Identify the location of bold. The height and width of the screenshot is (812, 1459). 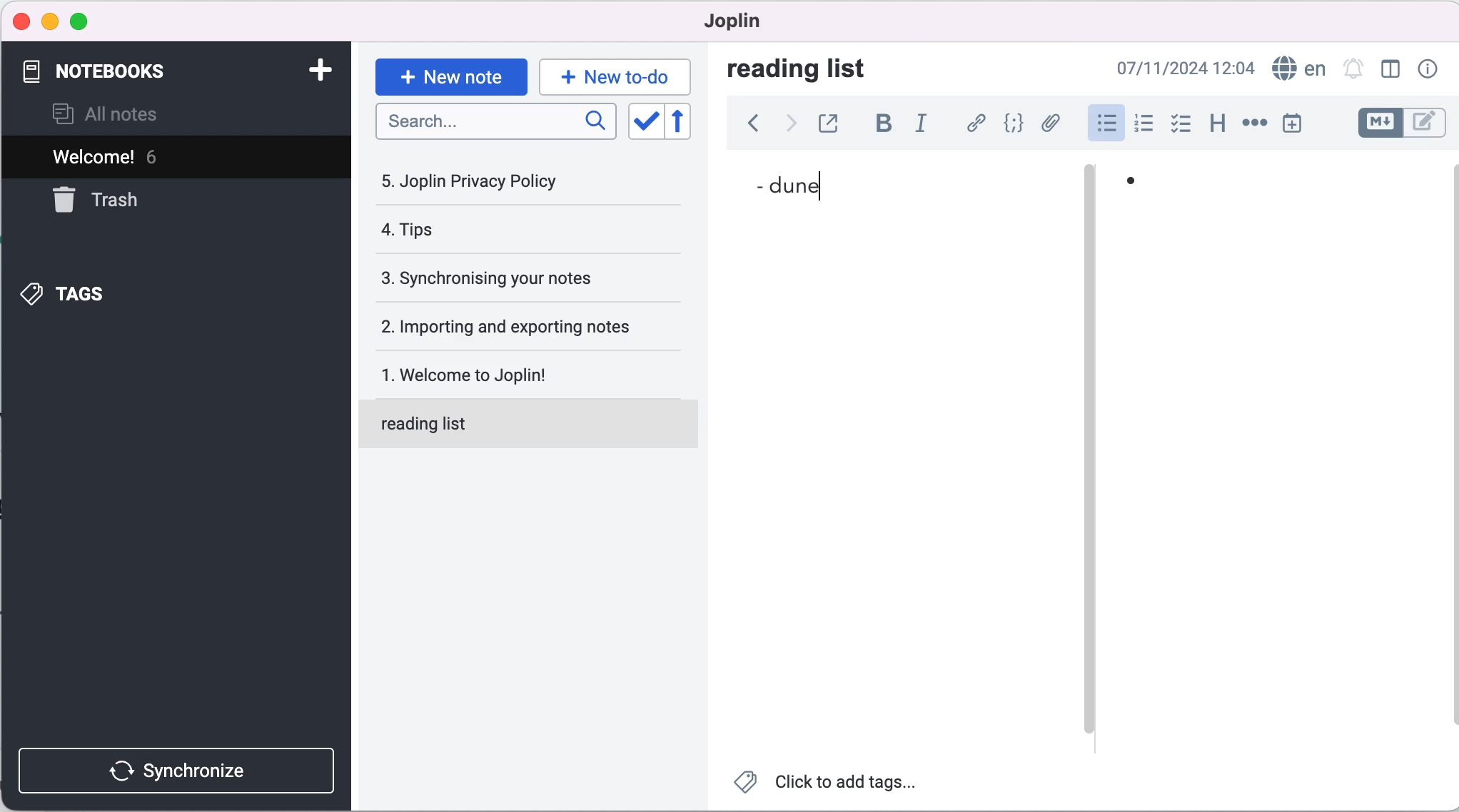
(884, 123).